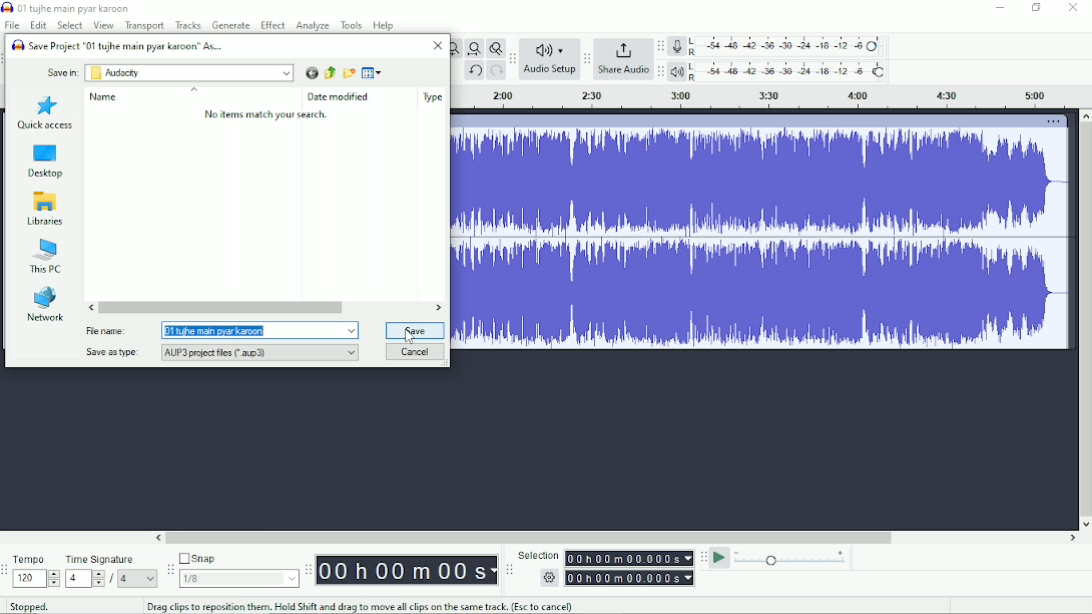  What do you see at coordinates (415, 330) in the screenshot?
I see `Save` at bounding box center [415, 330].